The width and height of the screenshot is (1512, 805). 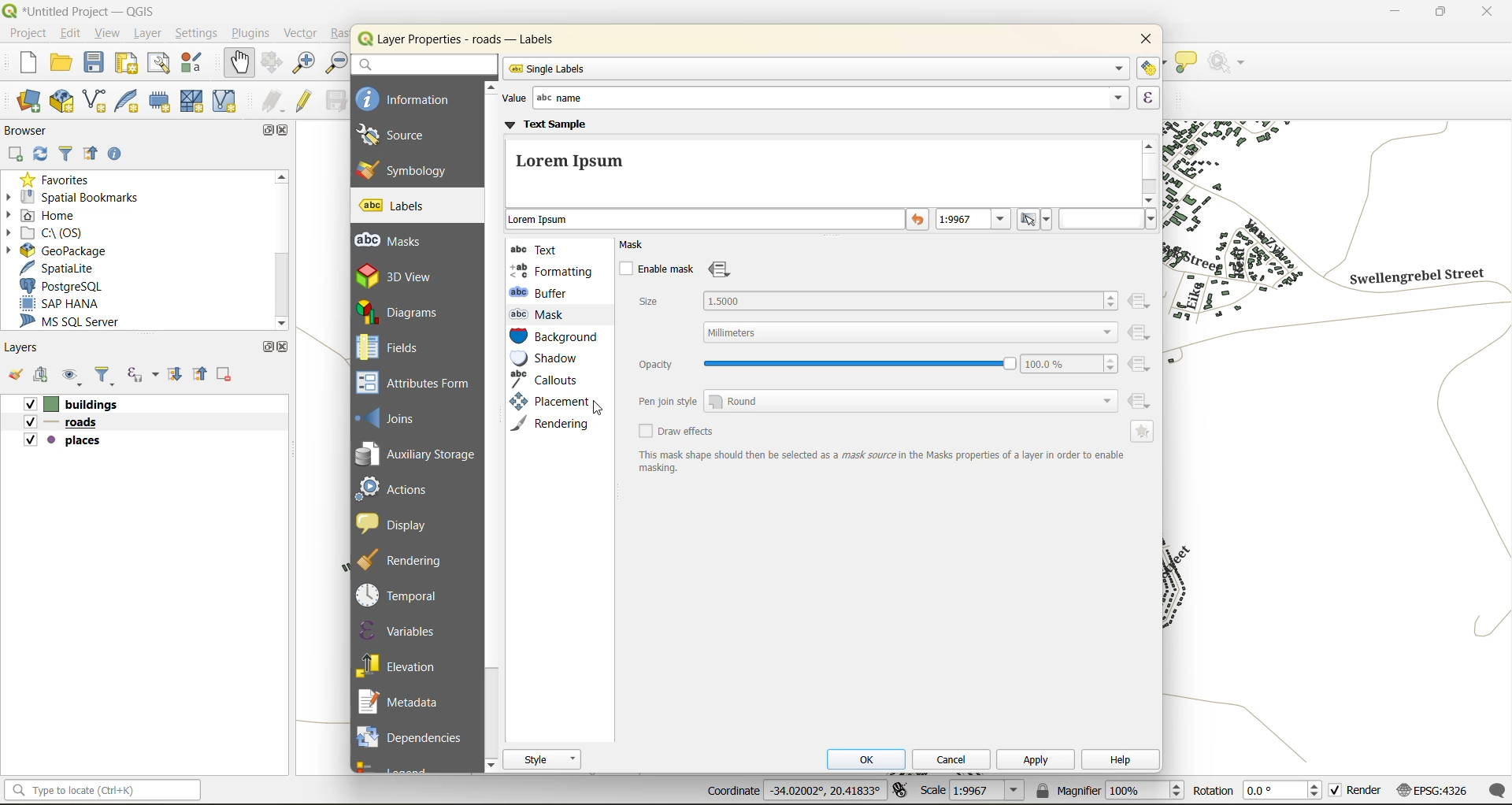 I want to click on cursor, so click(x=600, y=410).